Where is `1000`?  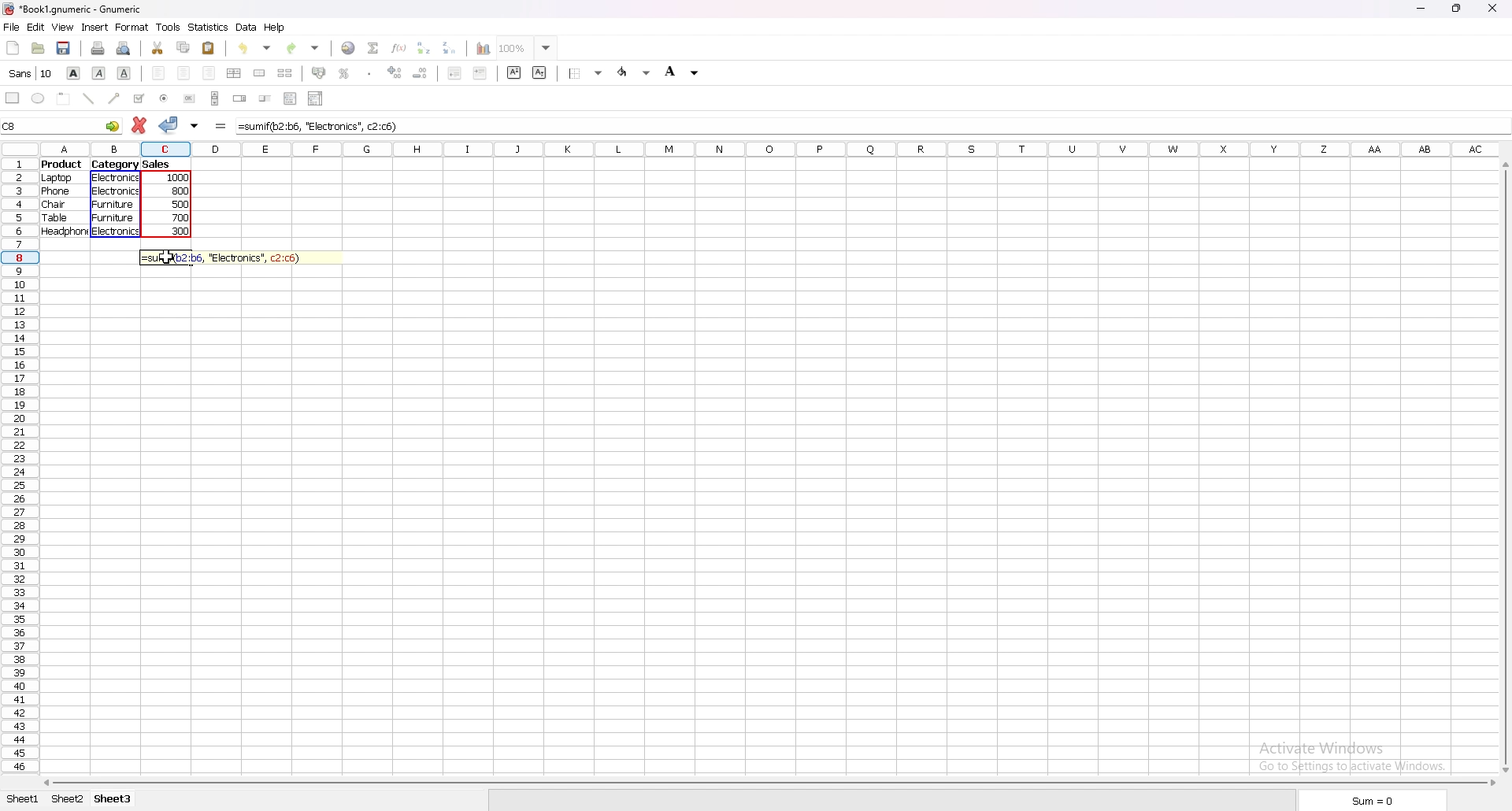 1000 is located at coordinates (180, 179).